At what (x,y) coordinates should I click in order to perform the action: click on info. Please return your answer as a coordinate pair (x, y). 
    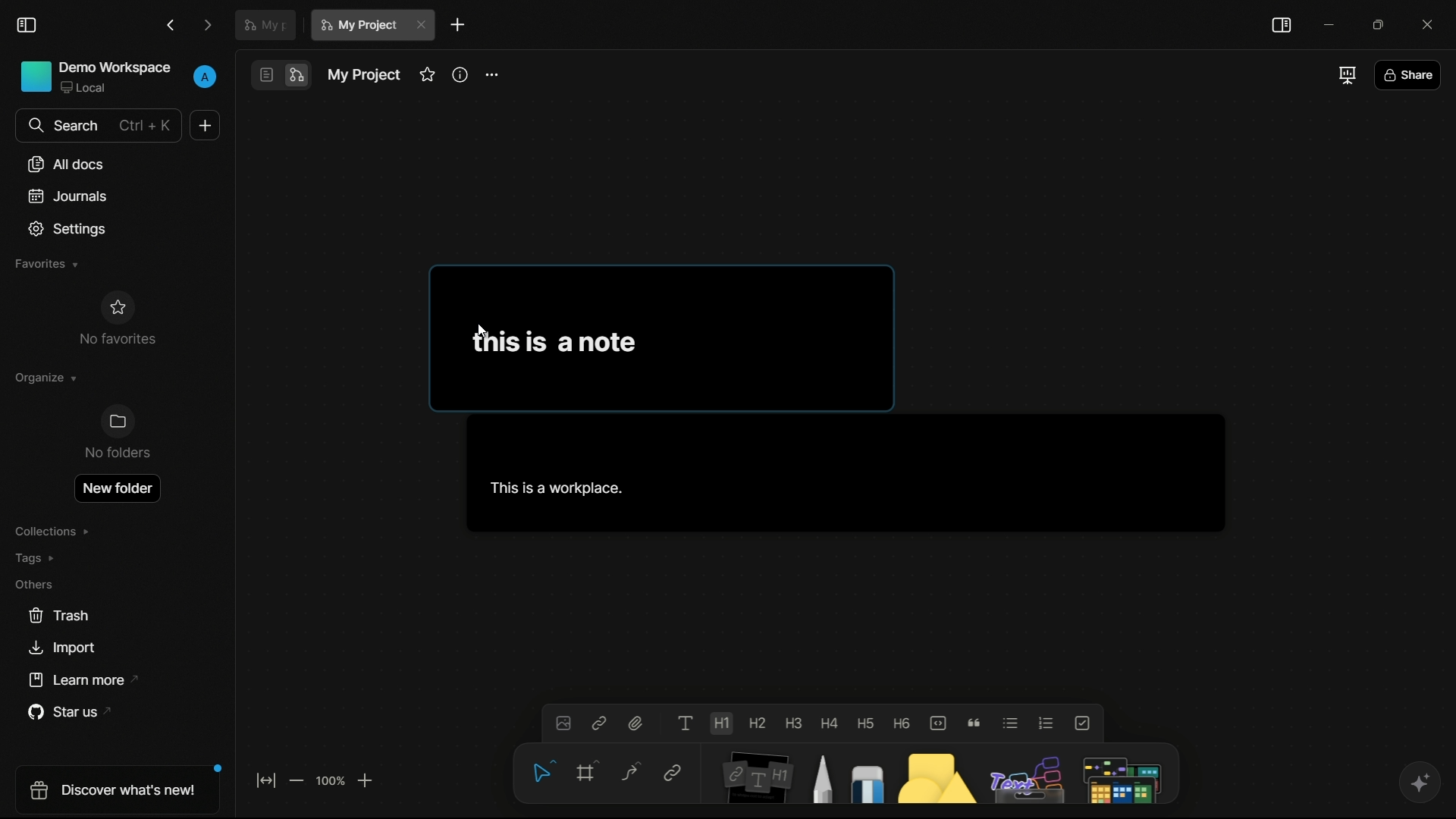
    Looking at the image, I should click on (461, 74).